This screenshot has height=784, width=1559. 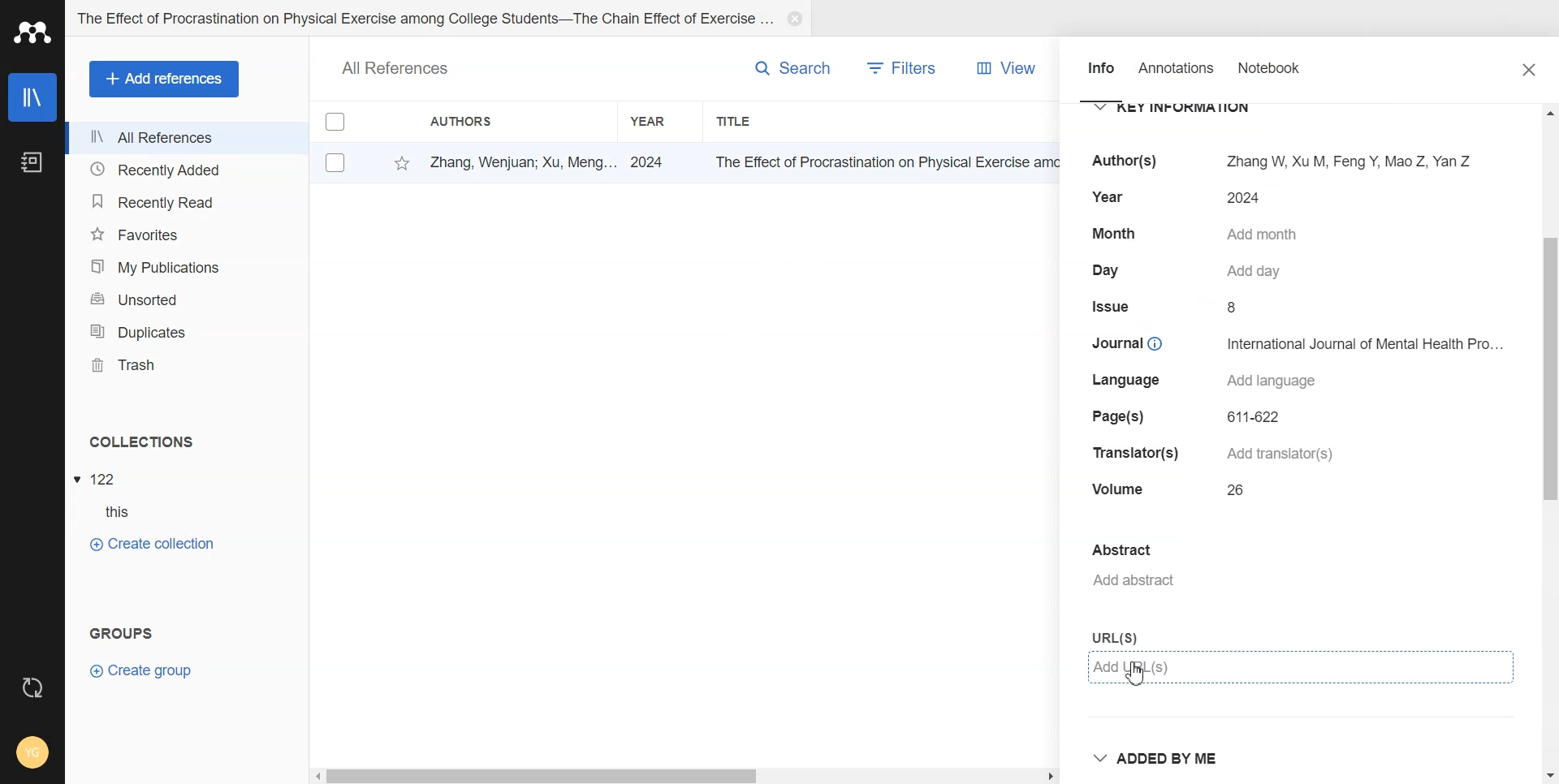 What do you see at coordinates (153, 670) in the screenshot?
I see `Create Group` at bounding box center [153, 670].